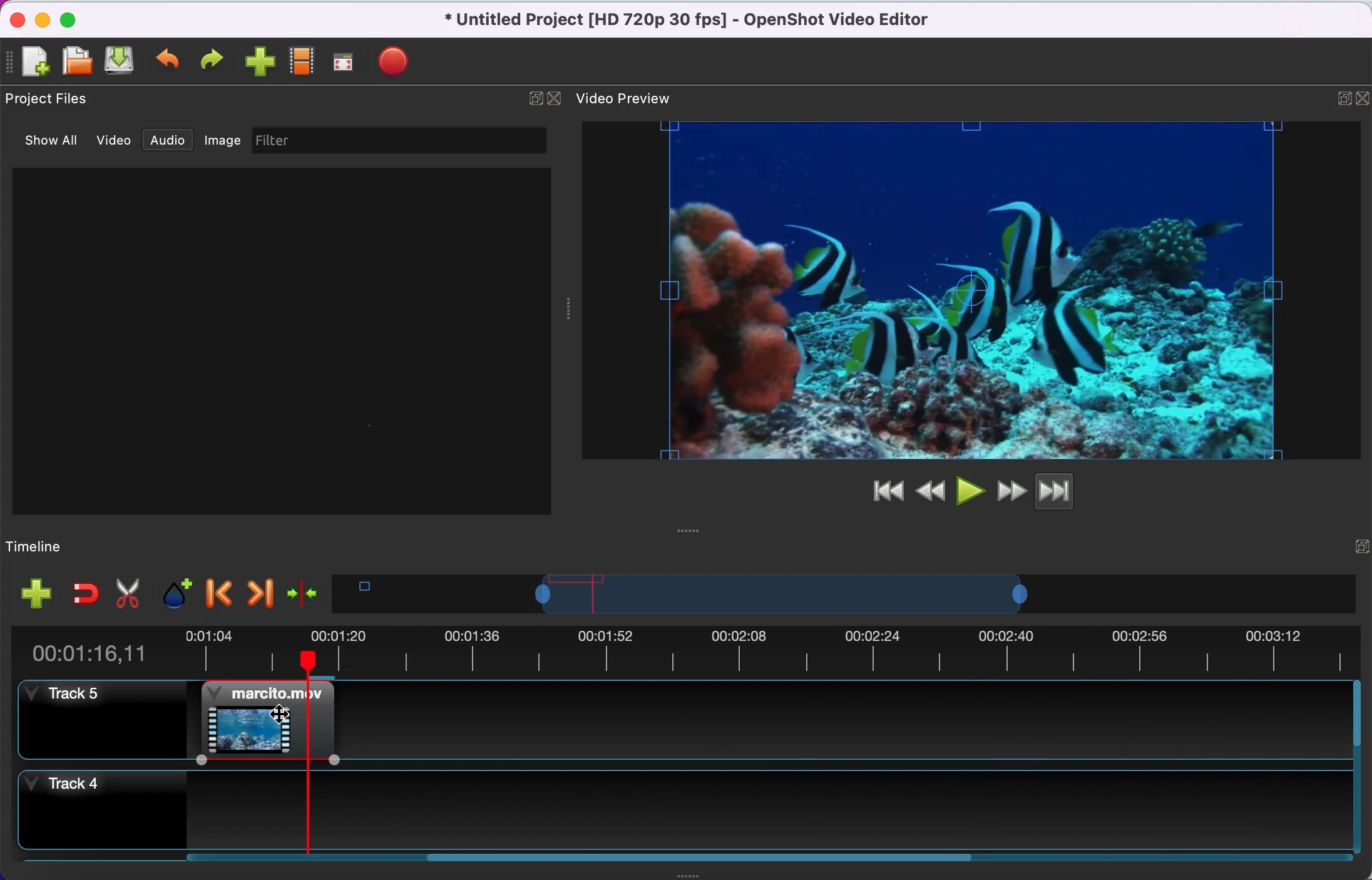 The height and width of the screenshot is (880, 1372). Describe the element at coordinates (35, 61) in the screenshot. I see `new file` at that location.